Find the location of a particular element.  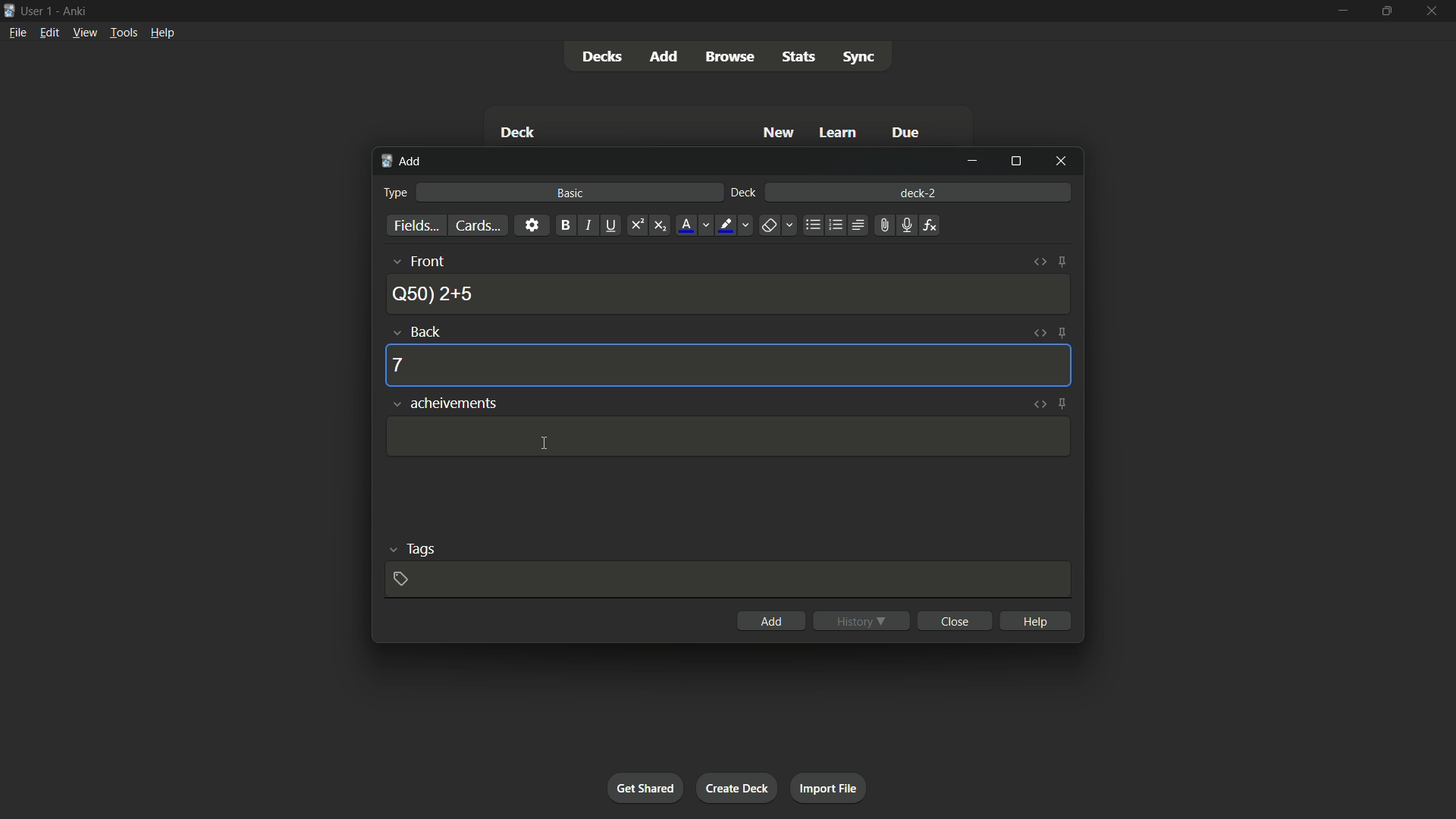

achievements is located at coordinates (444, 404).